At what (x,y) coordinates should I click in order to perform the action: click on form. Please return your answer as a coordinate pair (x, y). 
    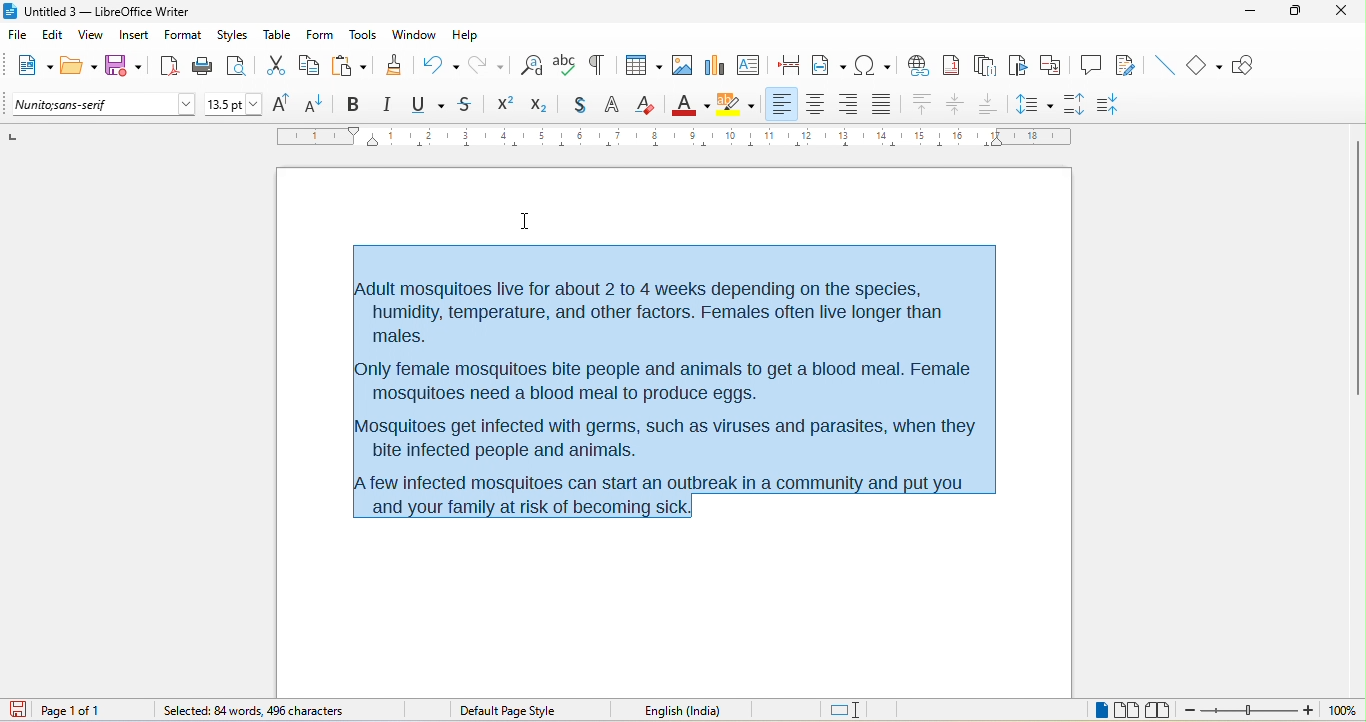
    Looking at the image, I should click on (319, 34).